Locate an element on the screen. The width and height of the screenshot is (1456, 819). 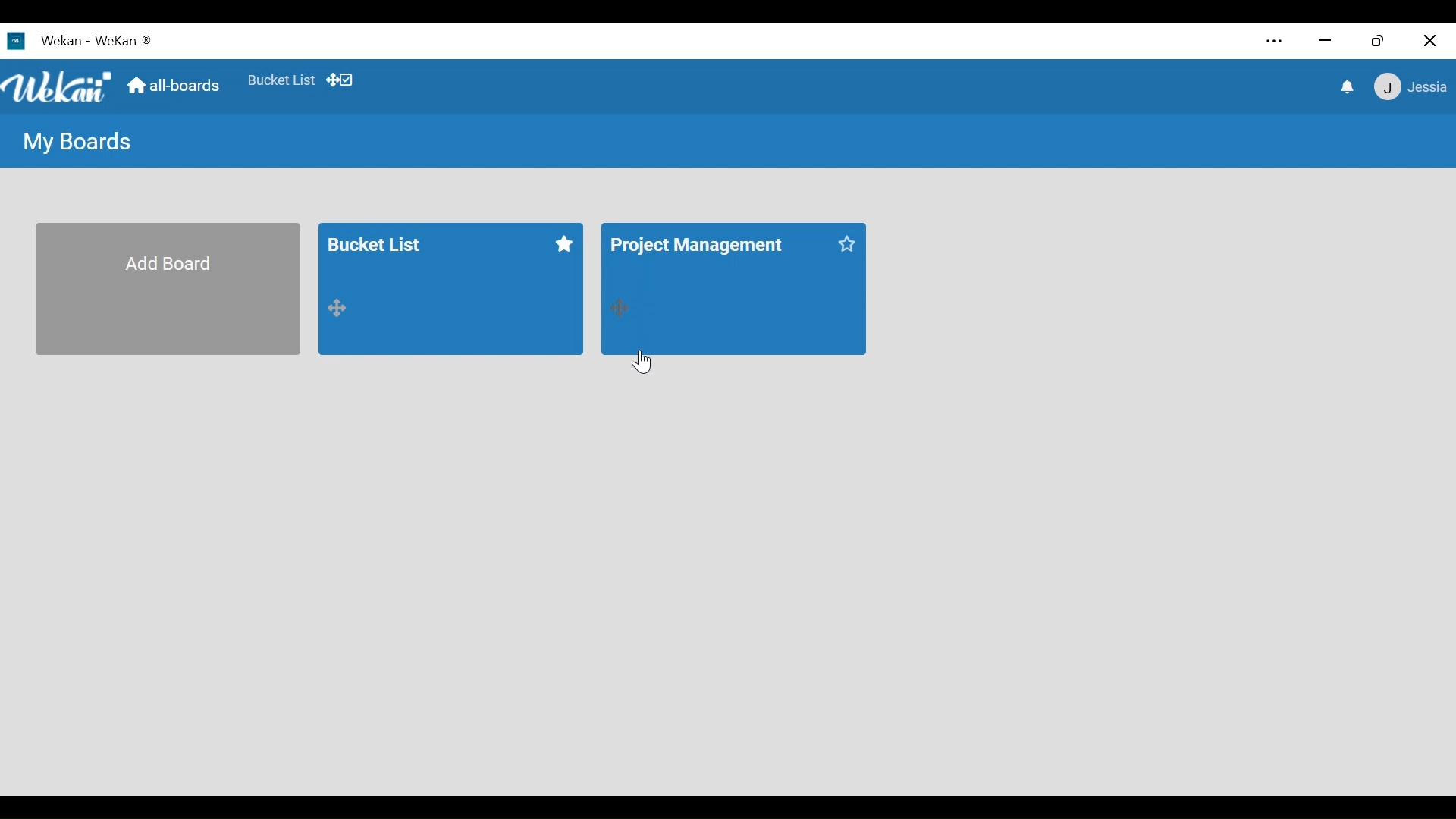
Drag board is located at coordinates (337, 308).